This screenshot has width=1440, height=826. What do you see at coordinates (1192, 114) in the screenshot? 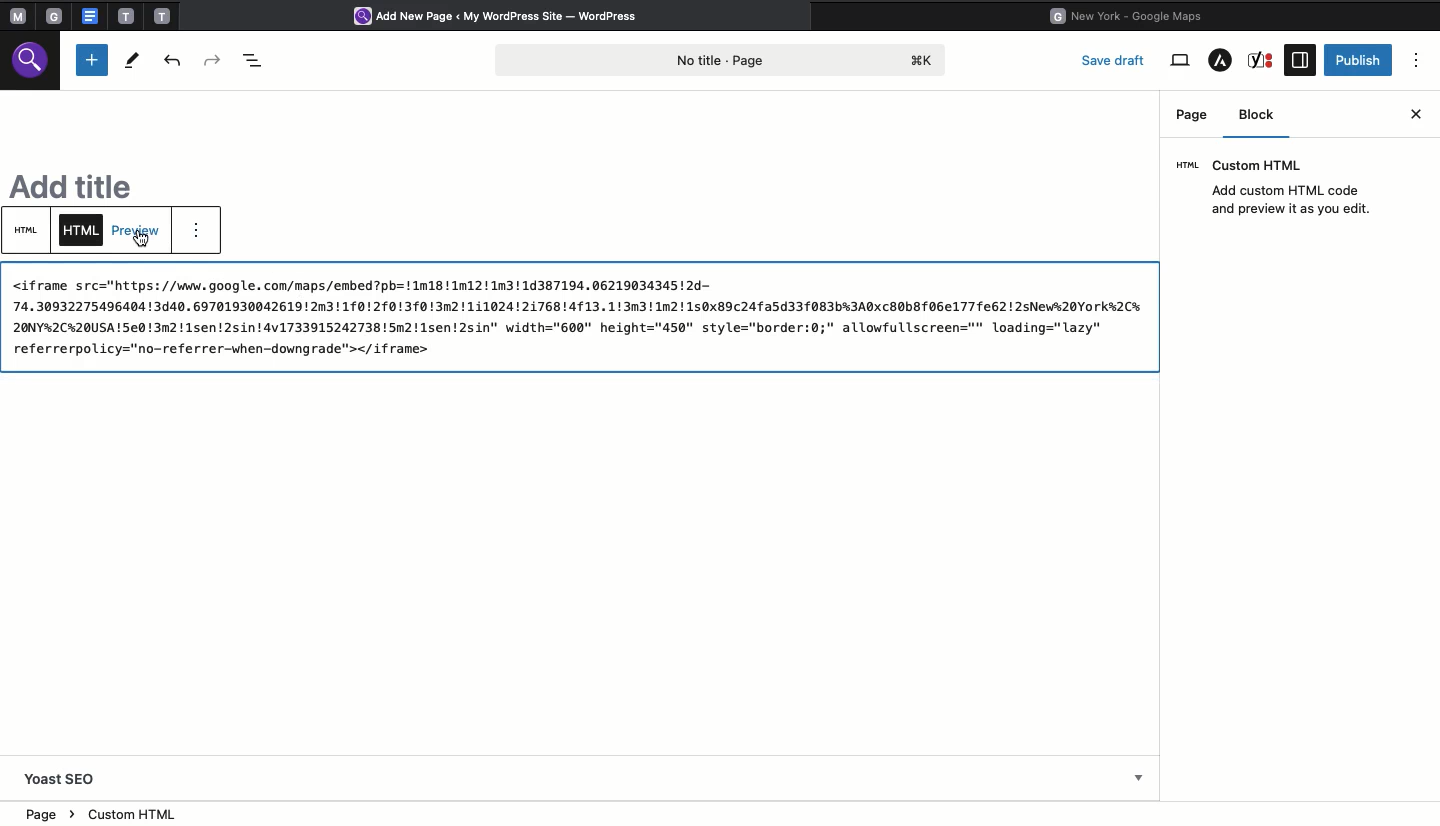
I see `Page` at bounding box center [1192, 114].